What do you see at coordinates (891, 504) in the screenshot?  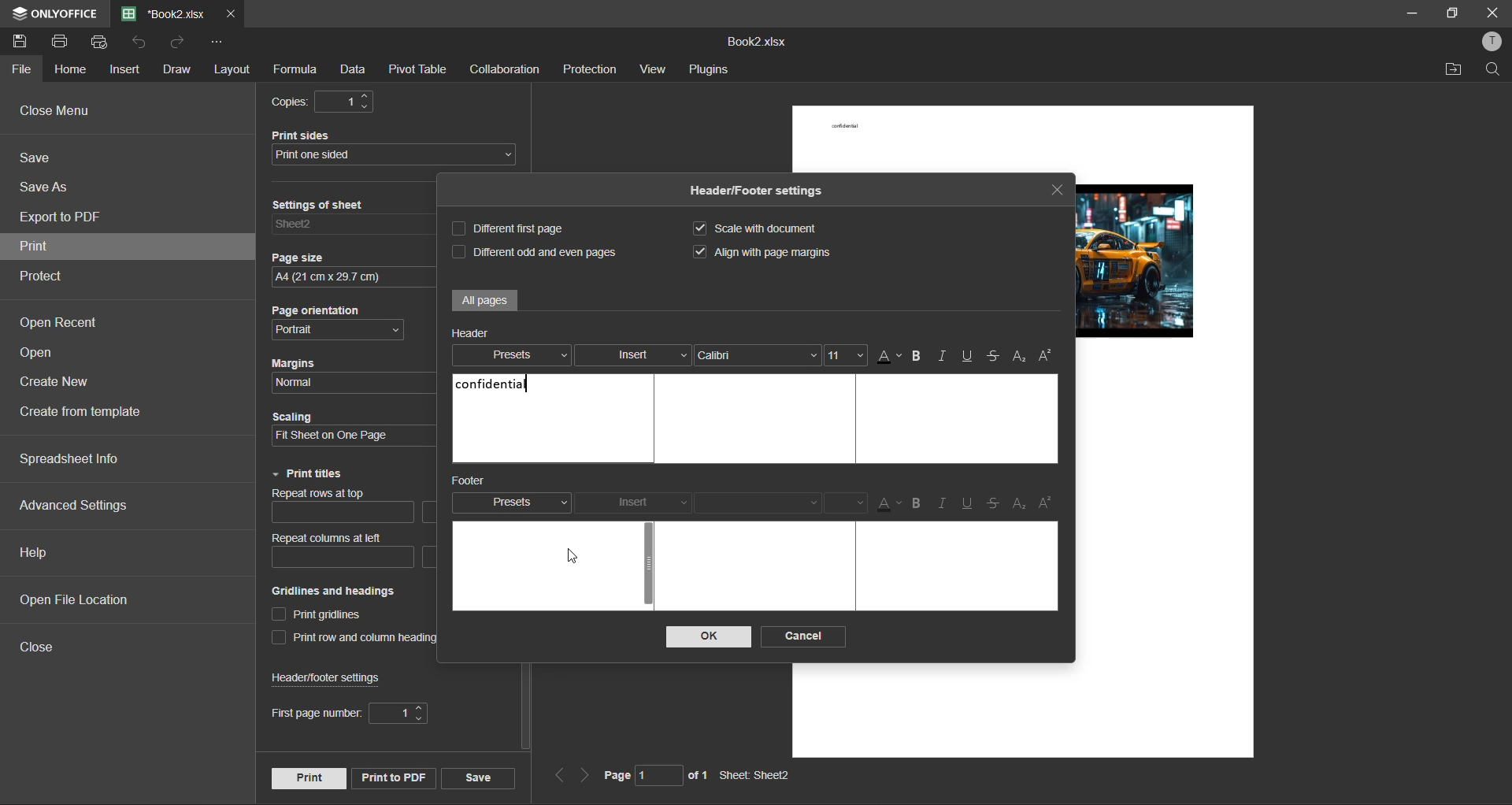 I see `font color` at bounding box center [891, 504].